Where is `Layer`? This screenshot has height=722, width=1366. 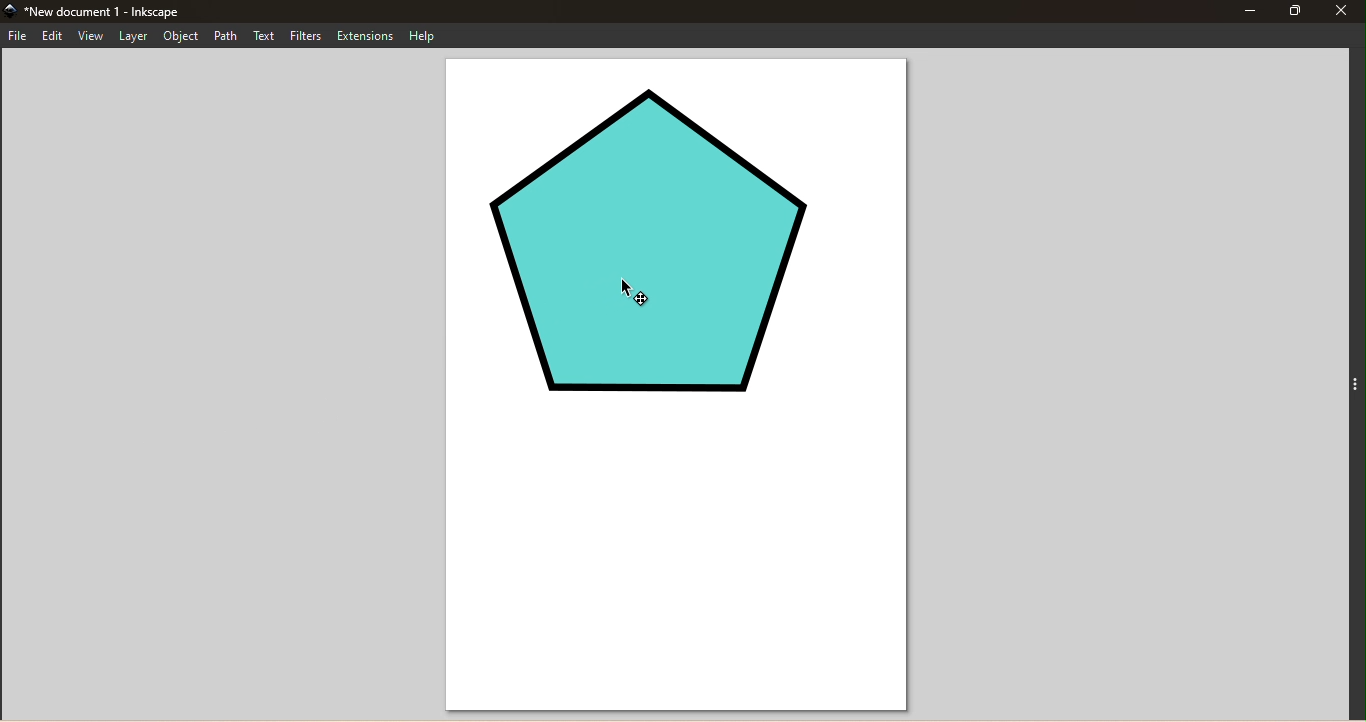
Layer is located at coordinates (133, 36).